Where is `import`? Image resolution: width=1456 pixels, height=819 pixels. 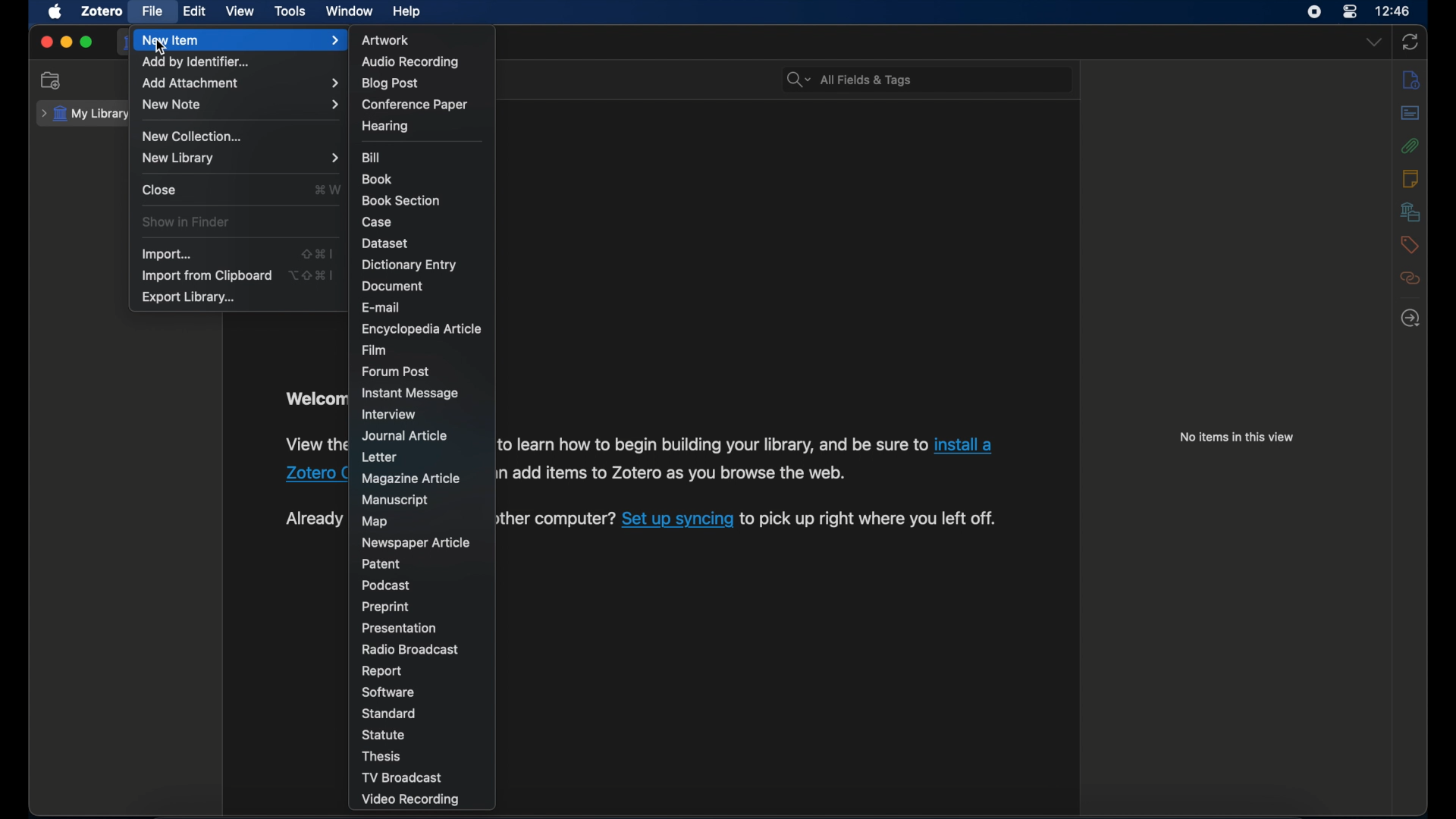 import is located at coordinates (167, 254).